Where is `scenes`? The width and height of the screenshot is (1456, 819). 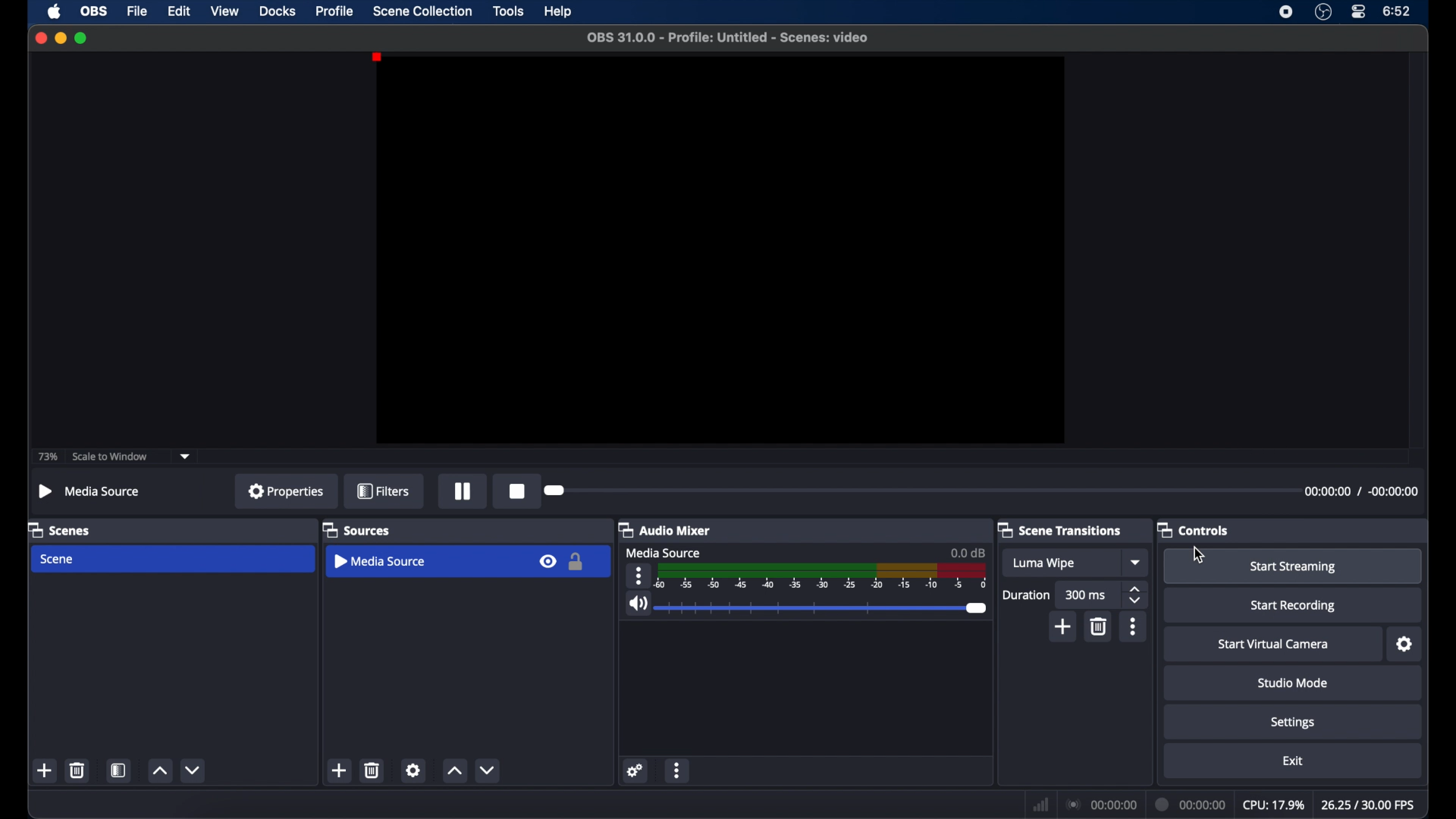 scenes is located at coordinates (59, 529).